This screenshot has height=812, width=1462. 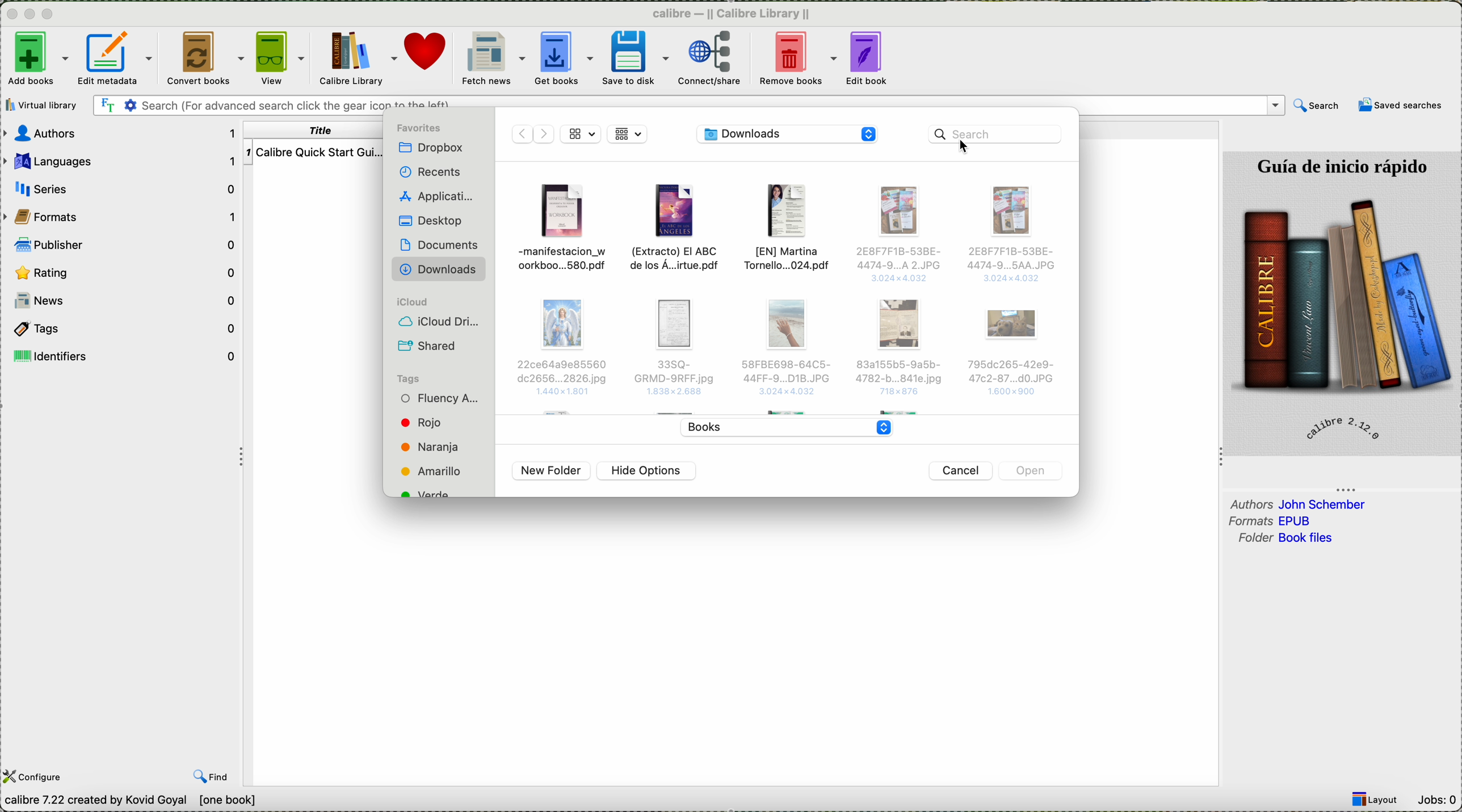 What do you see at coordinates (123, 274) in the screenshot?
I see `rating` at bounding box center [123, 274].